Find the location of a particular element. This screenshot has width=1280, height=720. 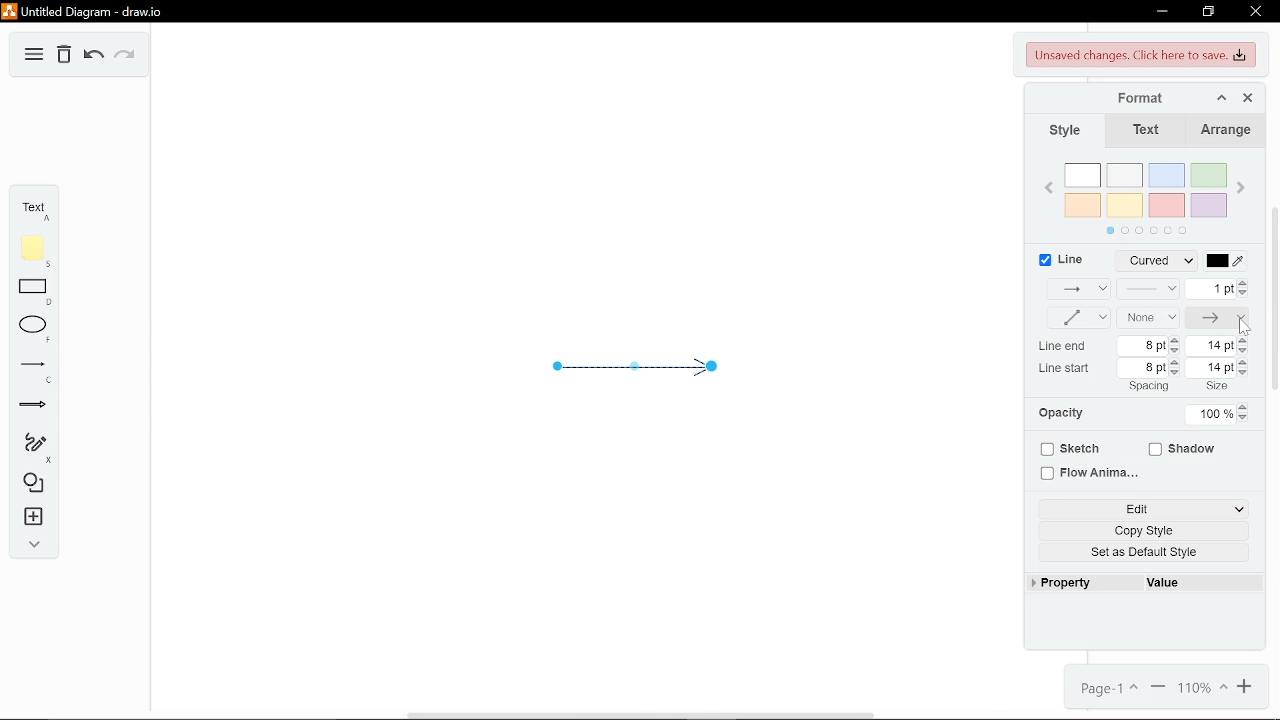

Style is located at coordinates (1070, 133).